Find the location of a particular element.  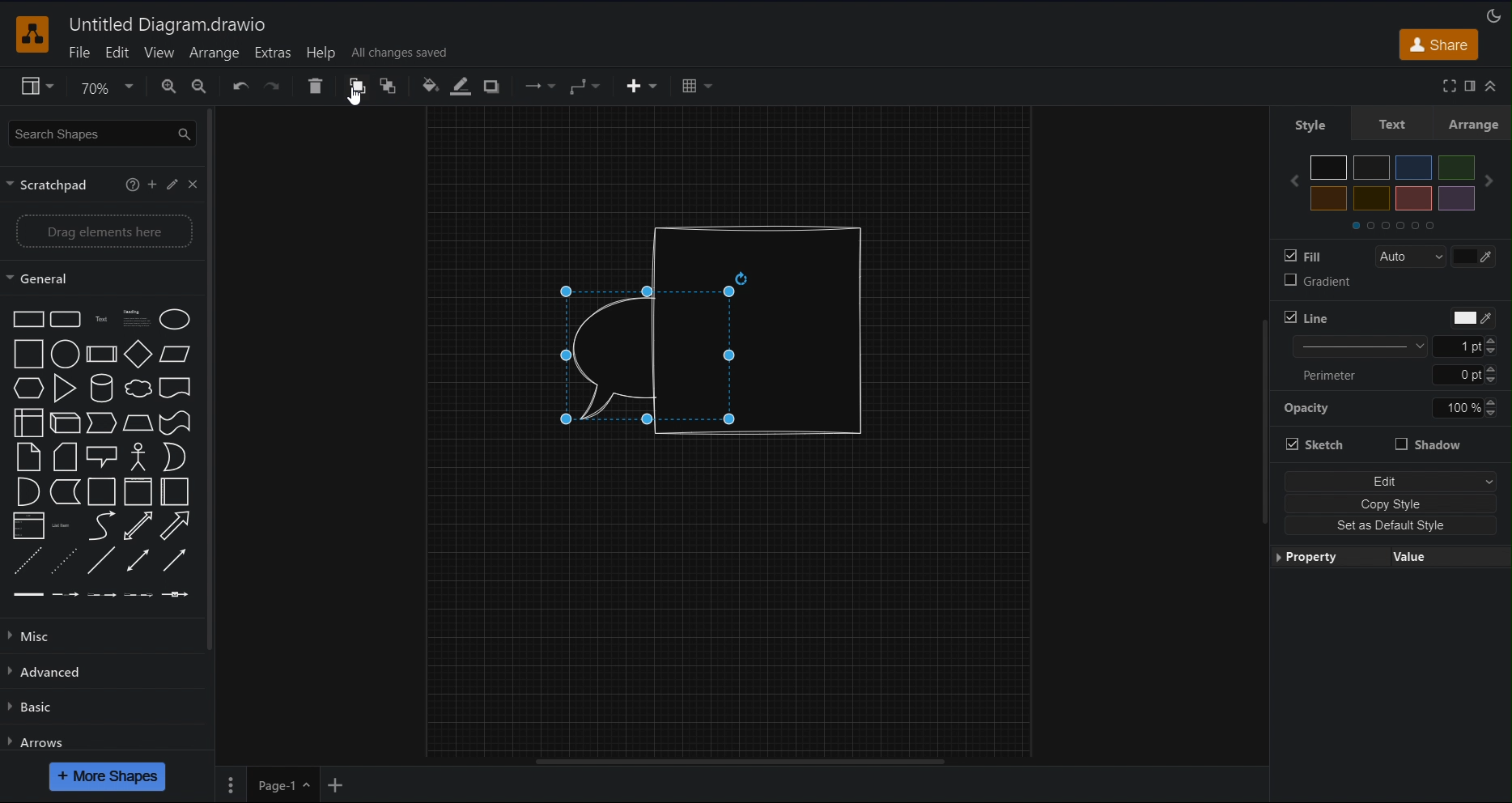

Value is located at coordinates (1450, 557).